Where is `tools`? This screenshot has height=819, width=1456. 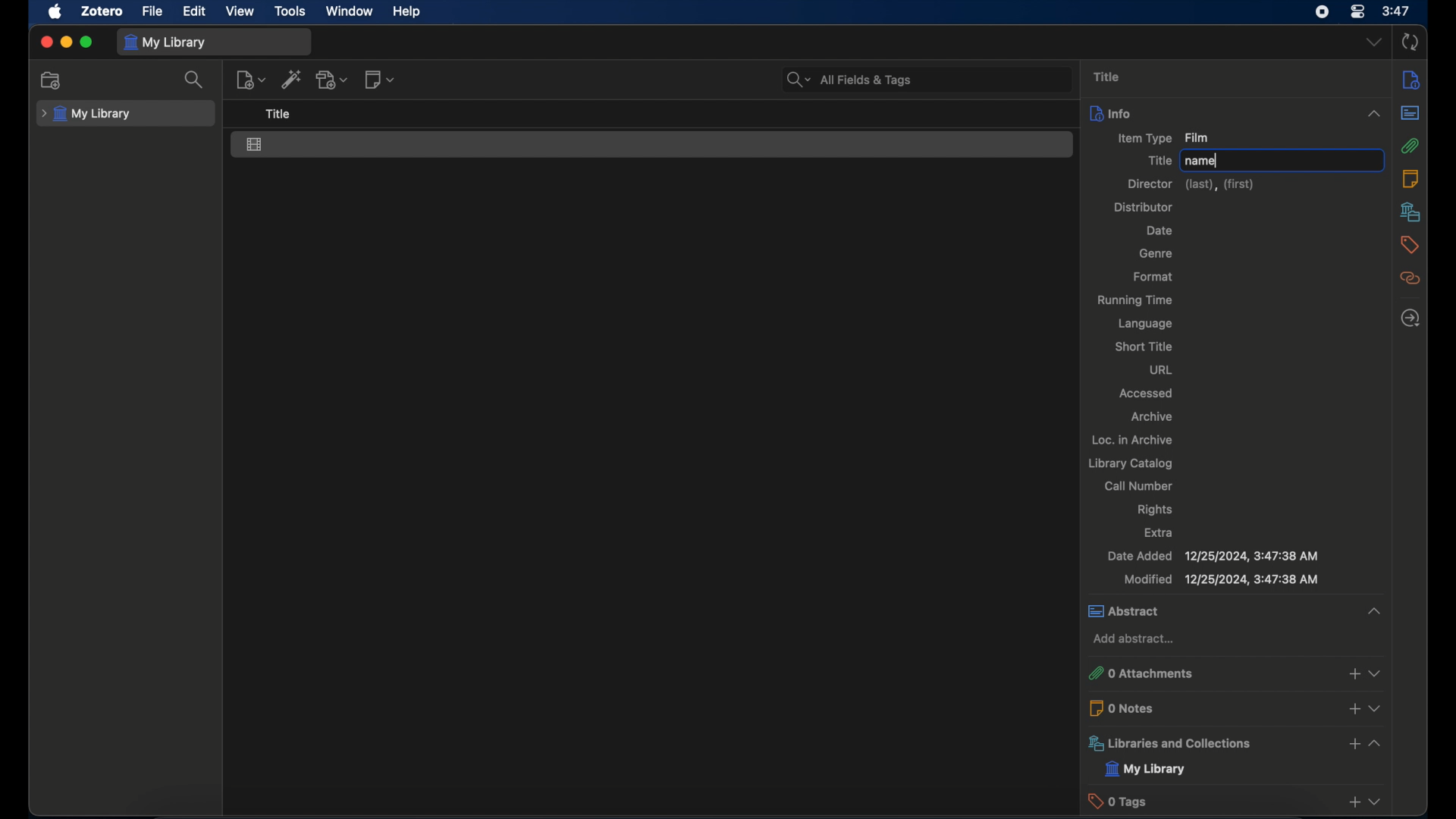
tools is located at coordinates (291, 11).